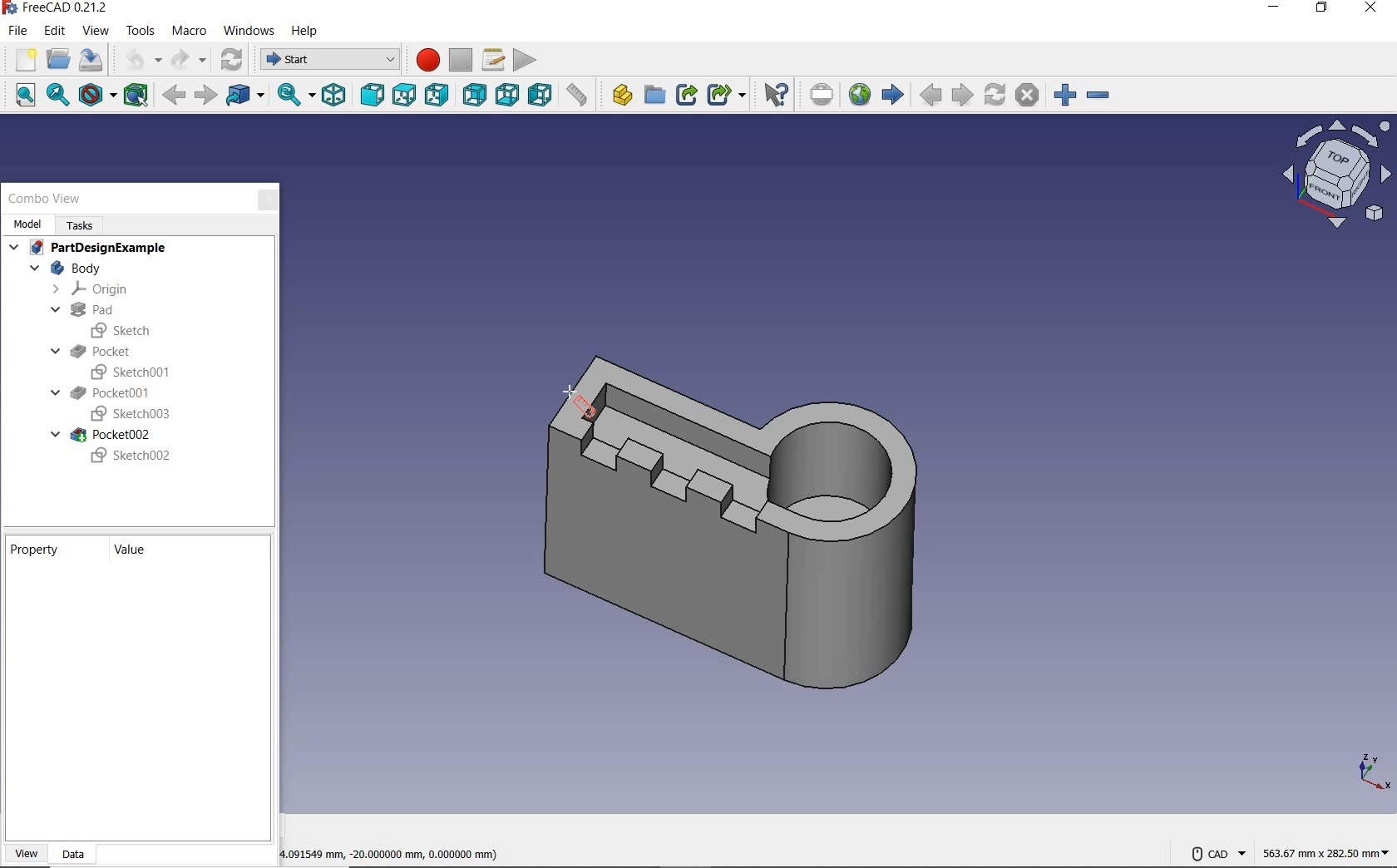 The height and width of the screenshot is (868, 1397). Describe the element at coordinates (22, 60) in the screenshot. I see `new` at that location.